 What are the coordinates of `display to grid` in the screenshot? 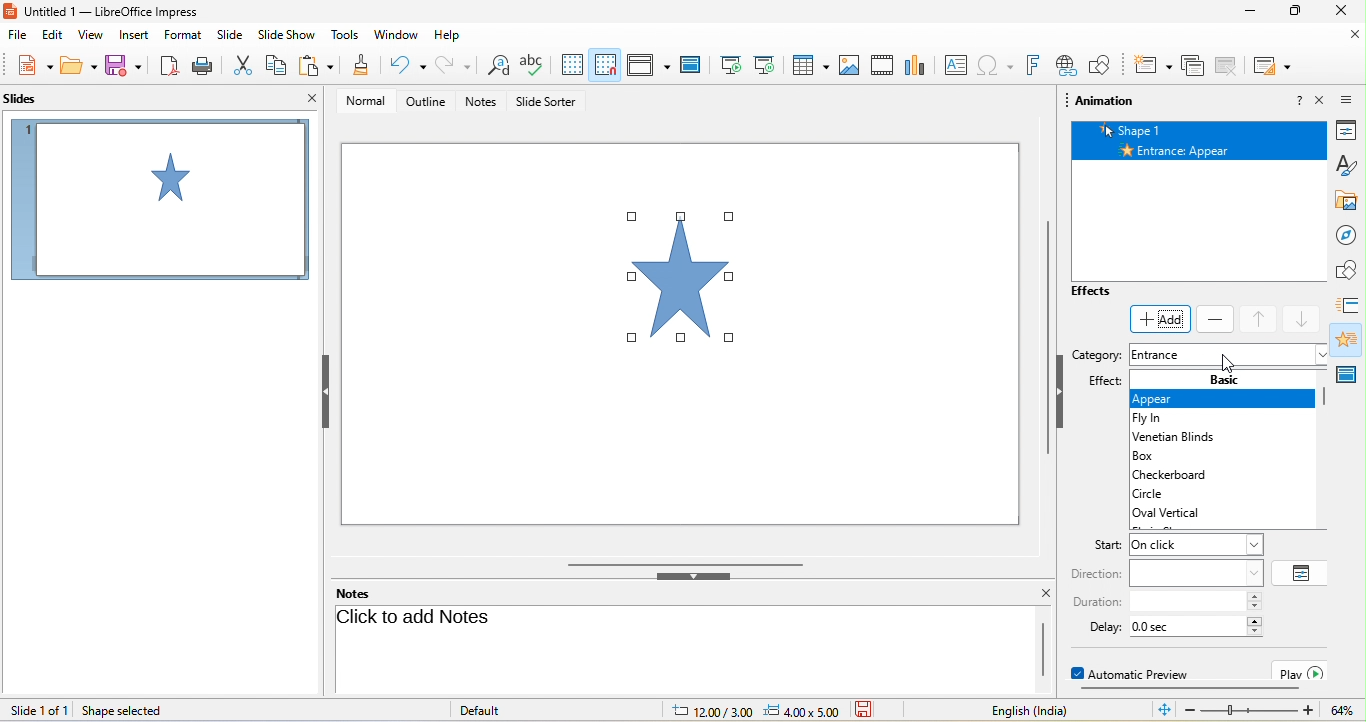 It's located at (575, 63).